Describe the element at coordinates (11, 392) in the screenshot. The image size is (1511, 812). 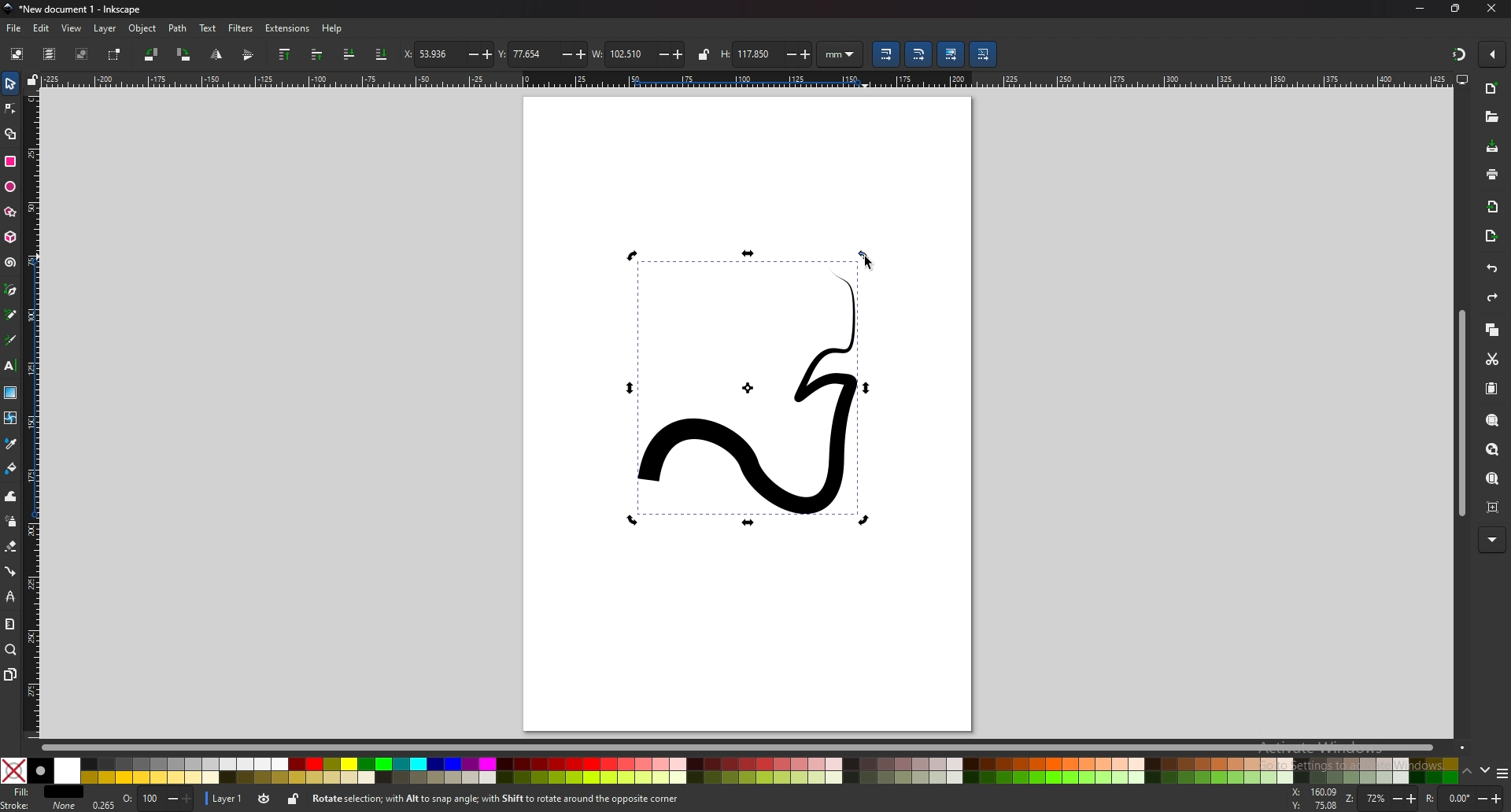
I see `gradient` at that location.